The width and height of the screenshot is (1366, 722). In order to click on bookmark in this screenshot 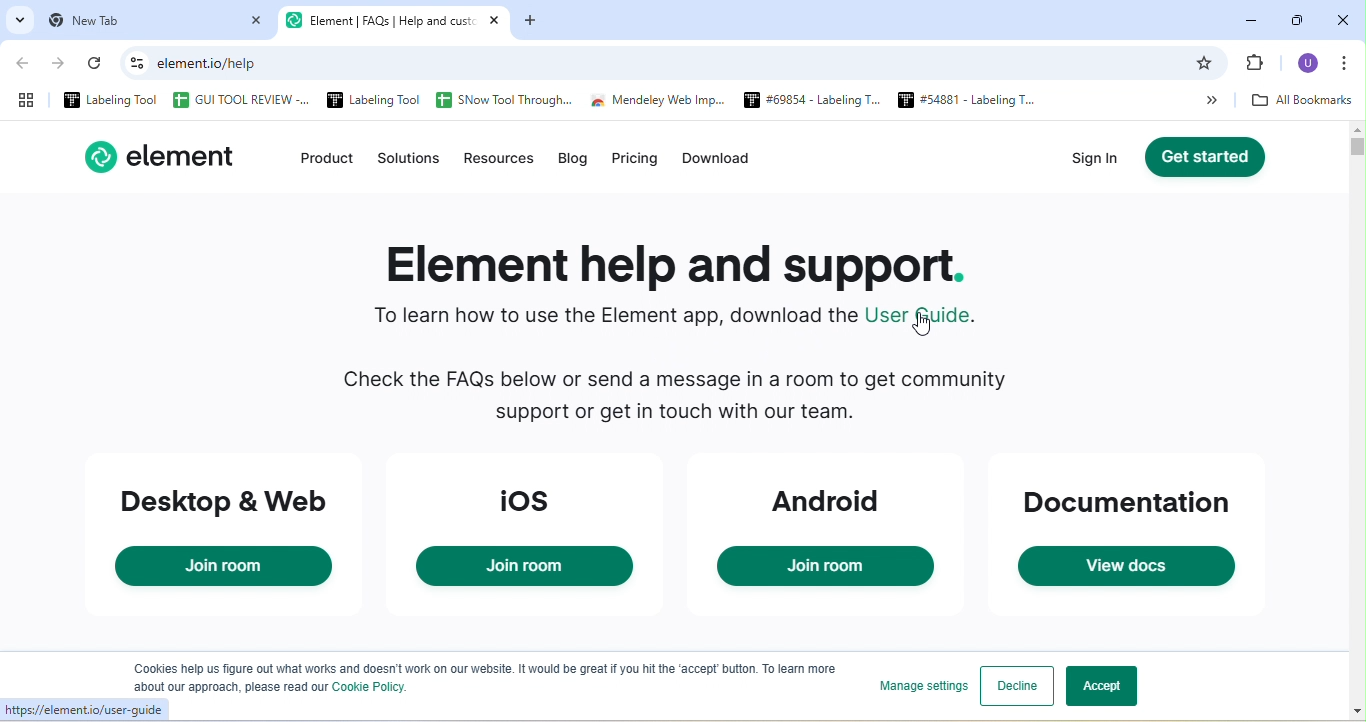, I will do `click(1208, 63)`.